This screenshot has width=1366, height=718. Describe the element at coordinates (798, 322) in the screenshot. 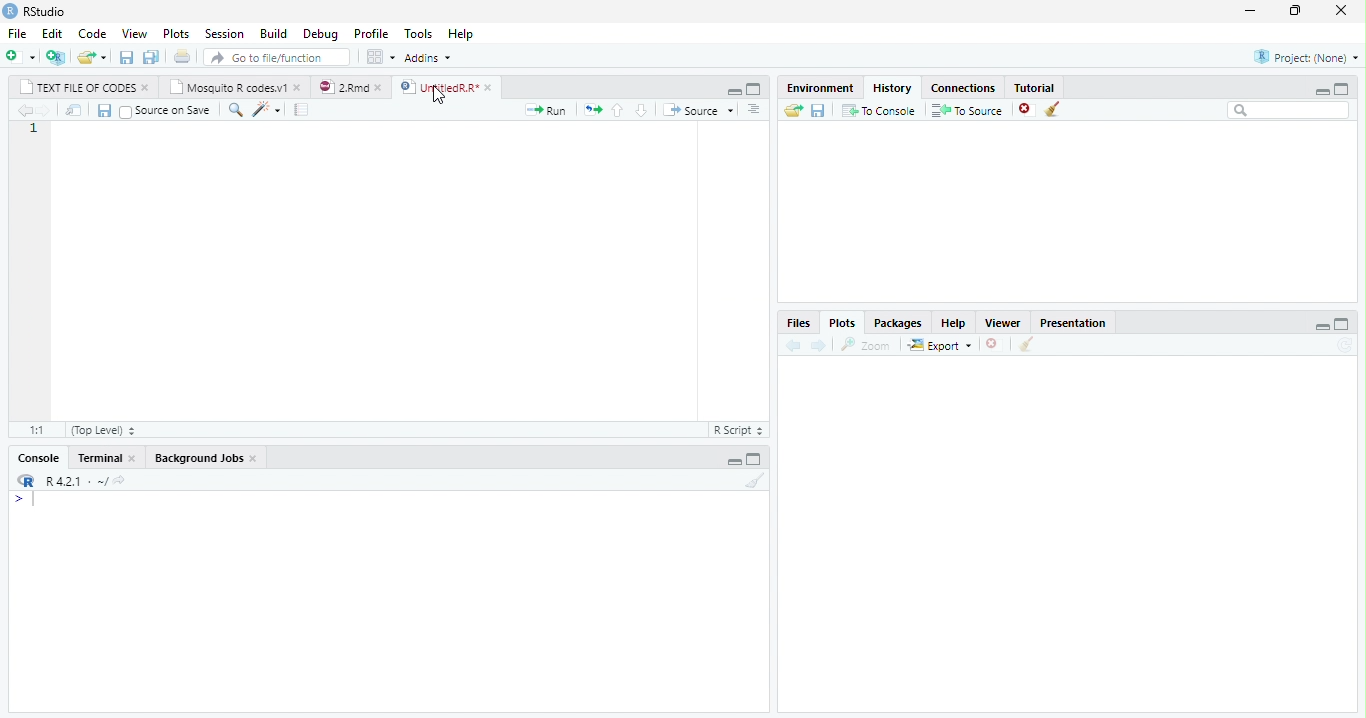

I see `files` at that location.